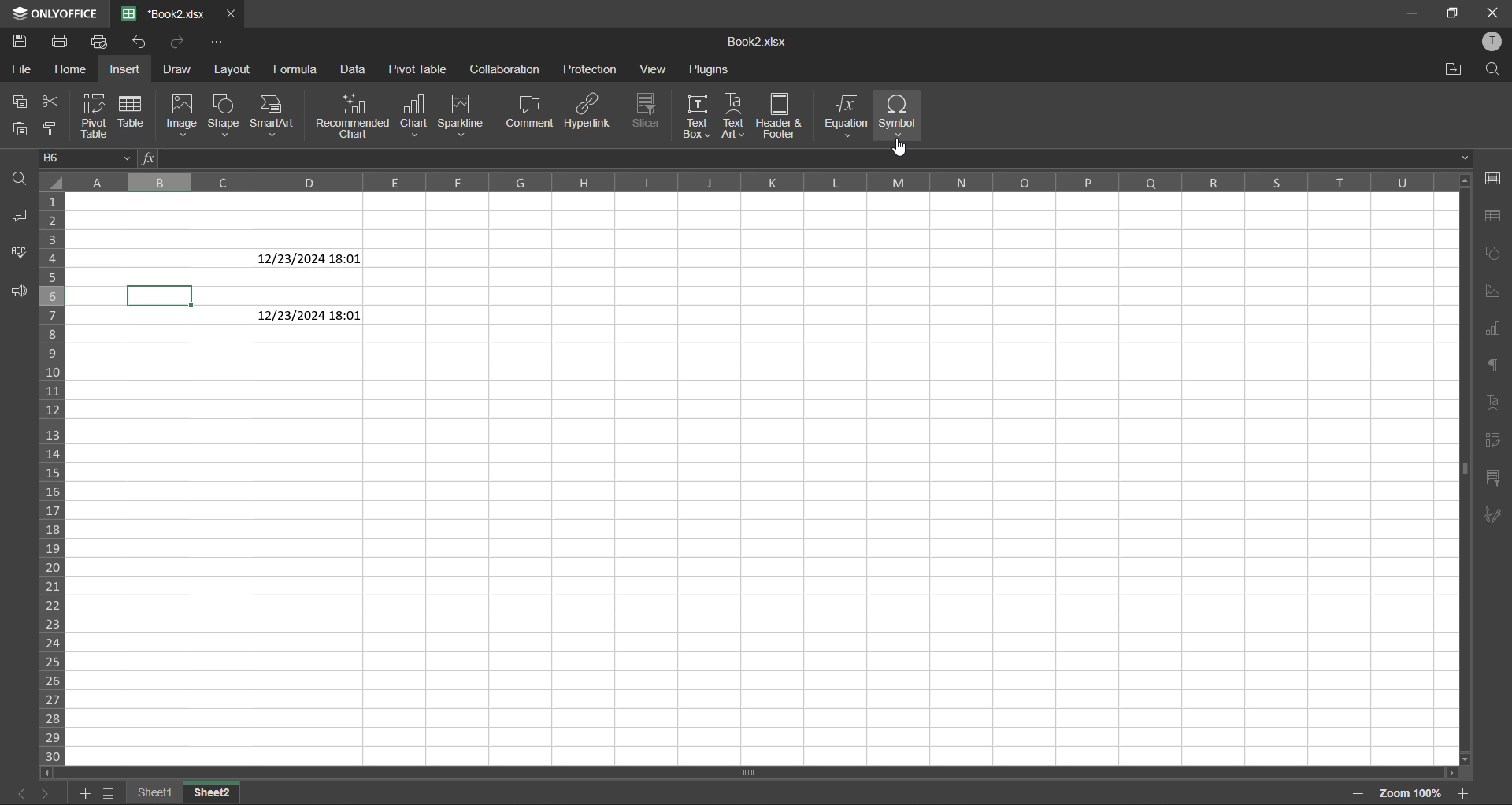 The height and width of the screenshot is (805, 1512). What do you see at coordinates (1497, 403) in the screenshot?
I see `text` at bounding box center [1497, 403].